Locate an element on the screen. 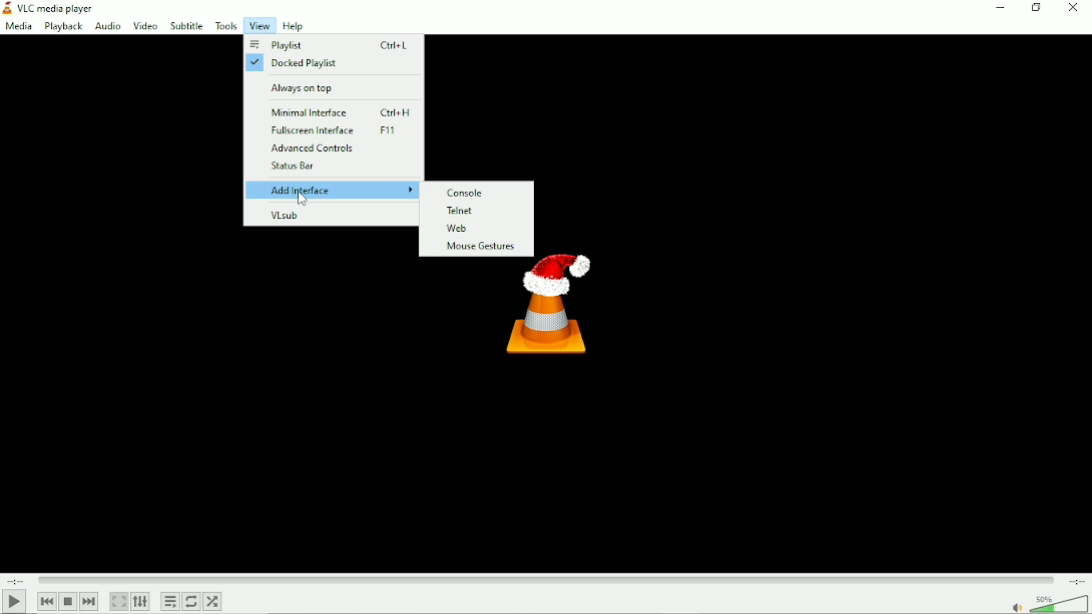 This screenshot has height=614, width=1092. Advanced controls is located at coordinates (331, 148).